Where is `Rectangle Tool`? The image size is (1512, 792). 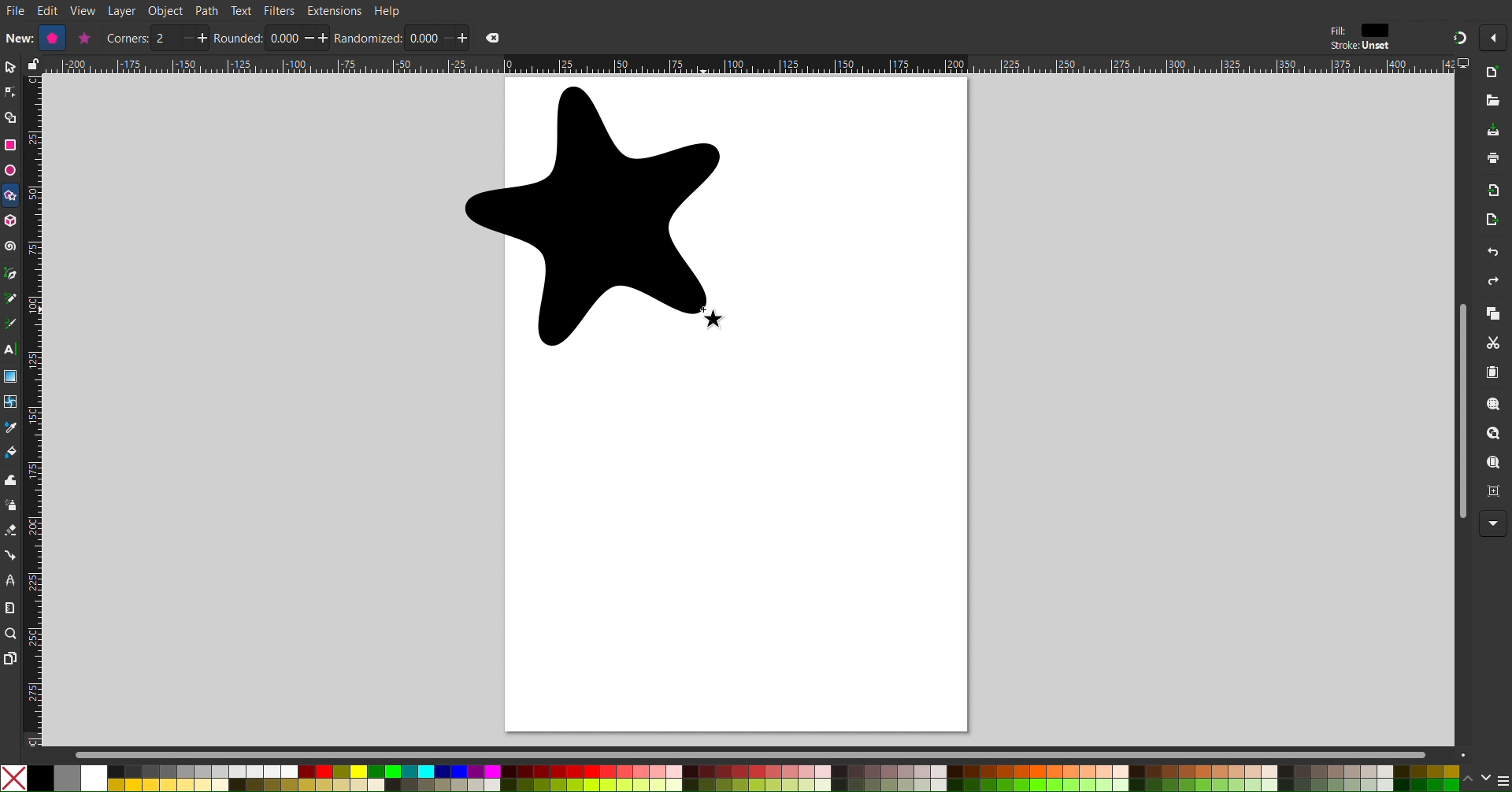 Rectangle Tool is located at coordinates (11, 144).